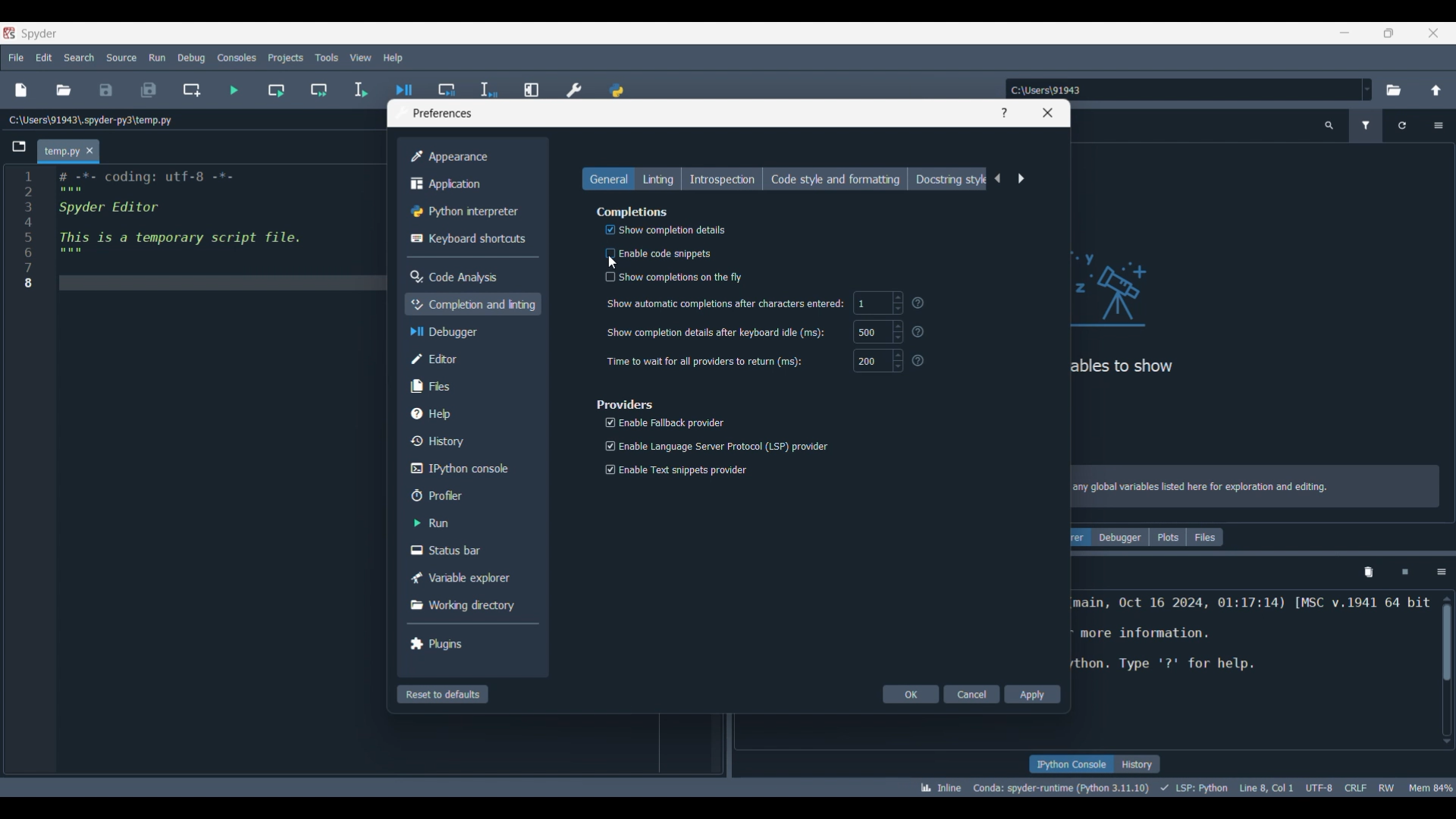 This screenshot has height=819, width=1456. I want to click on Software logo, so click(9, 33).